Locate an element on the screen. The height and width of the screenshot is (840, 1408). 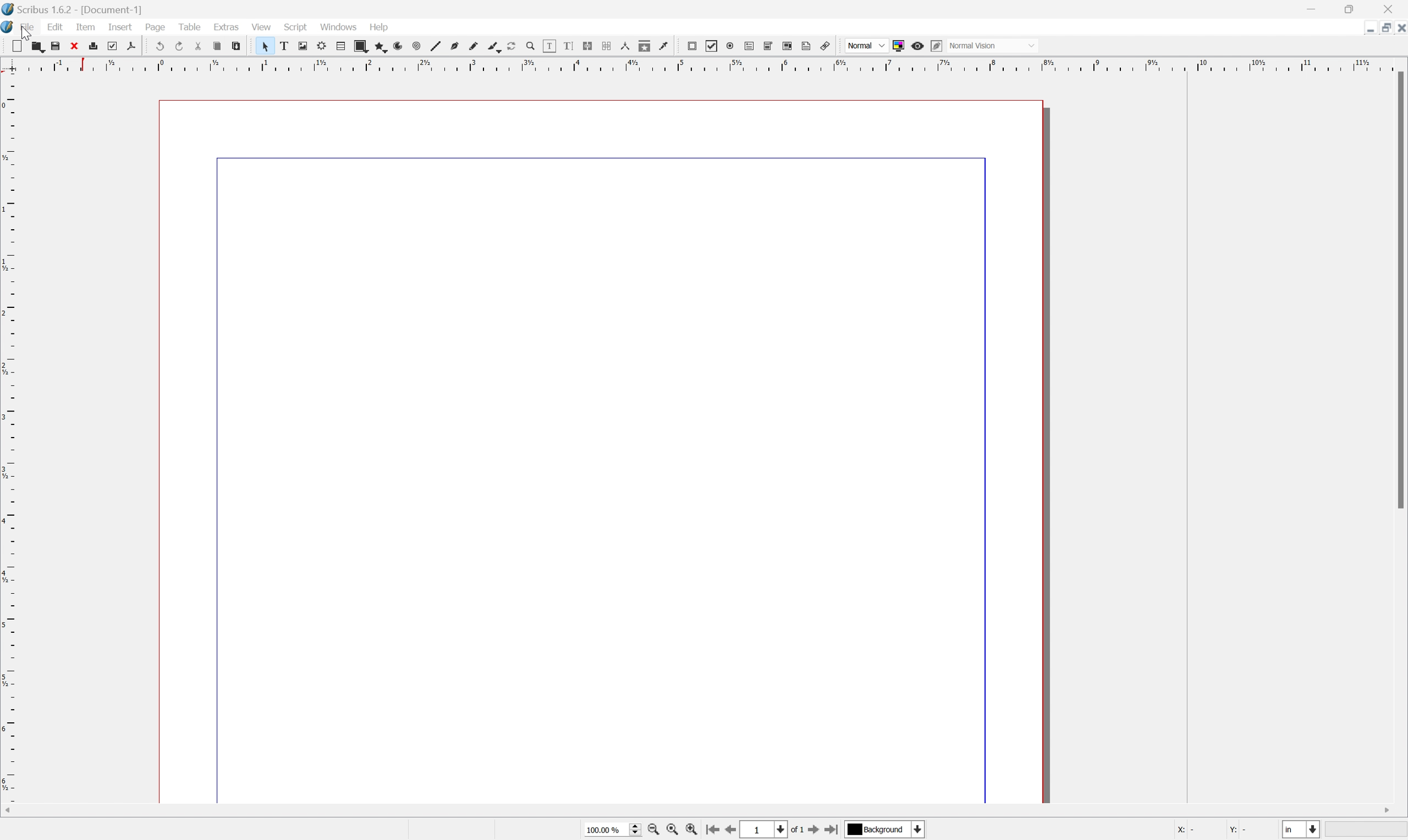
Cursor is located at coordinates (26, 33).